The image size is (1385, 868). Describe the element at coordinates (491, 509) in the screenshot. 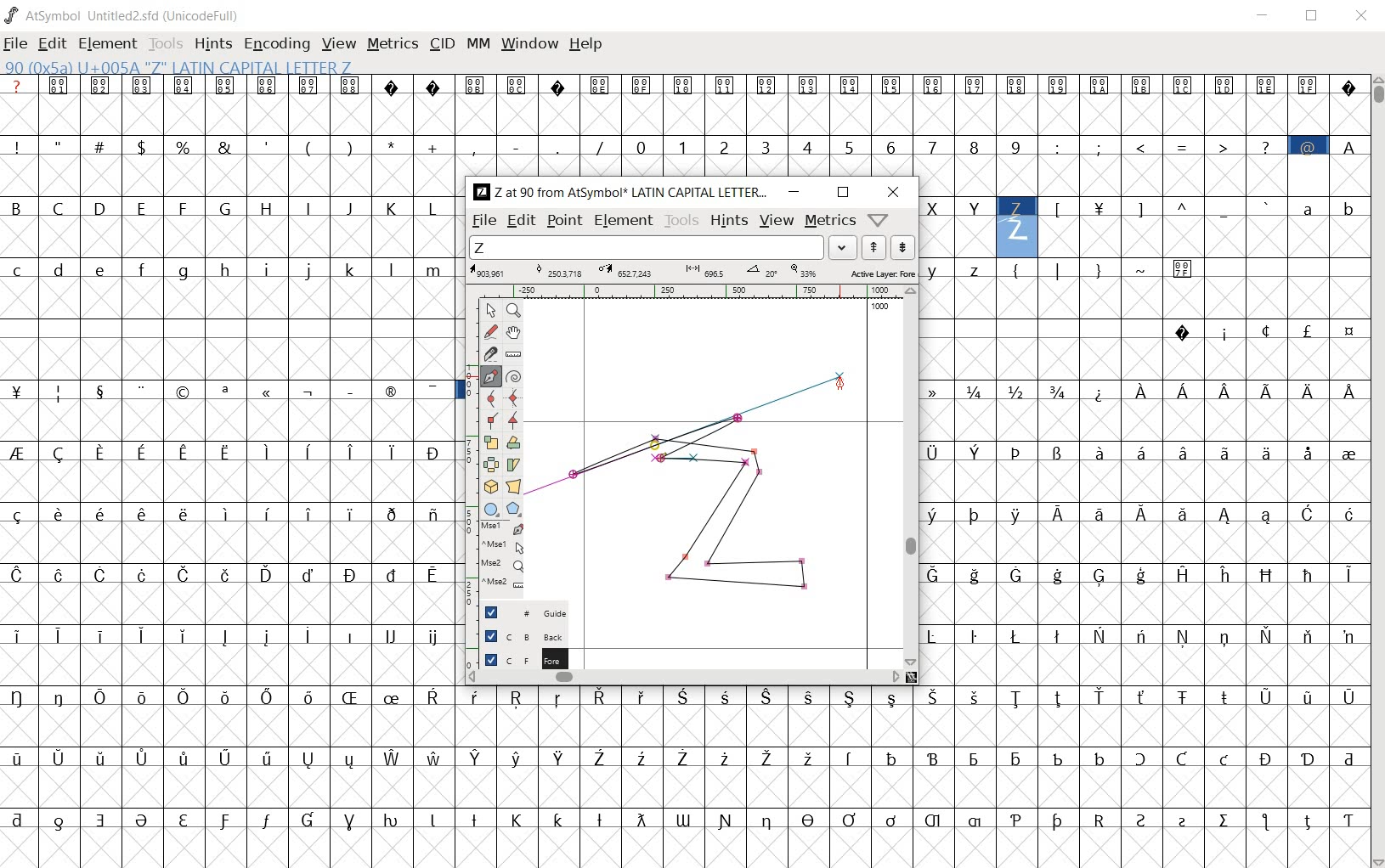

I see `rectangle or ellipse` at that location.